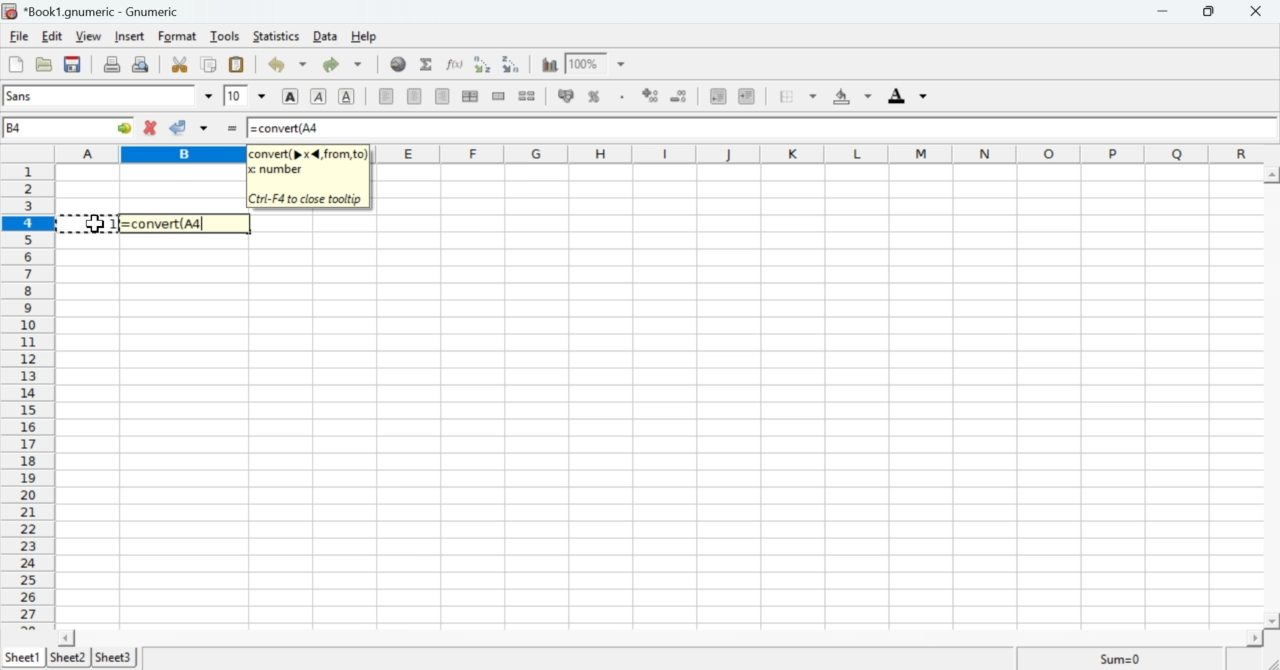 This screenshot has width=1280, height=670. What do you see at coordinates (19, 36) in the screenshot?
I see `File` at bounding box center [19, 36].